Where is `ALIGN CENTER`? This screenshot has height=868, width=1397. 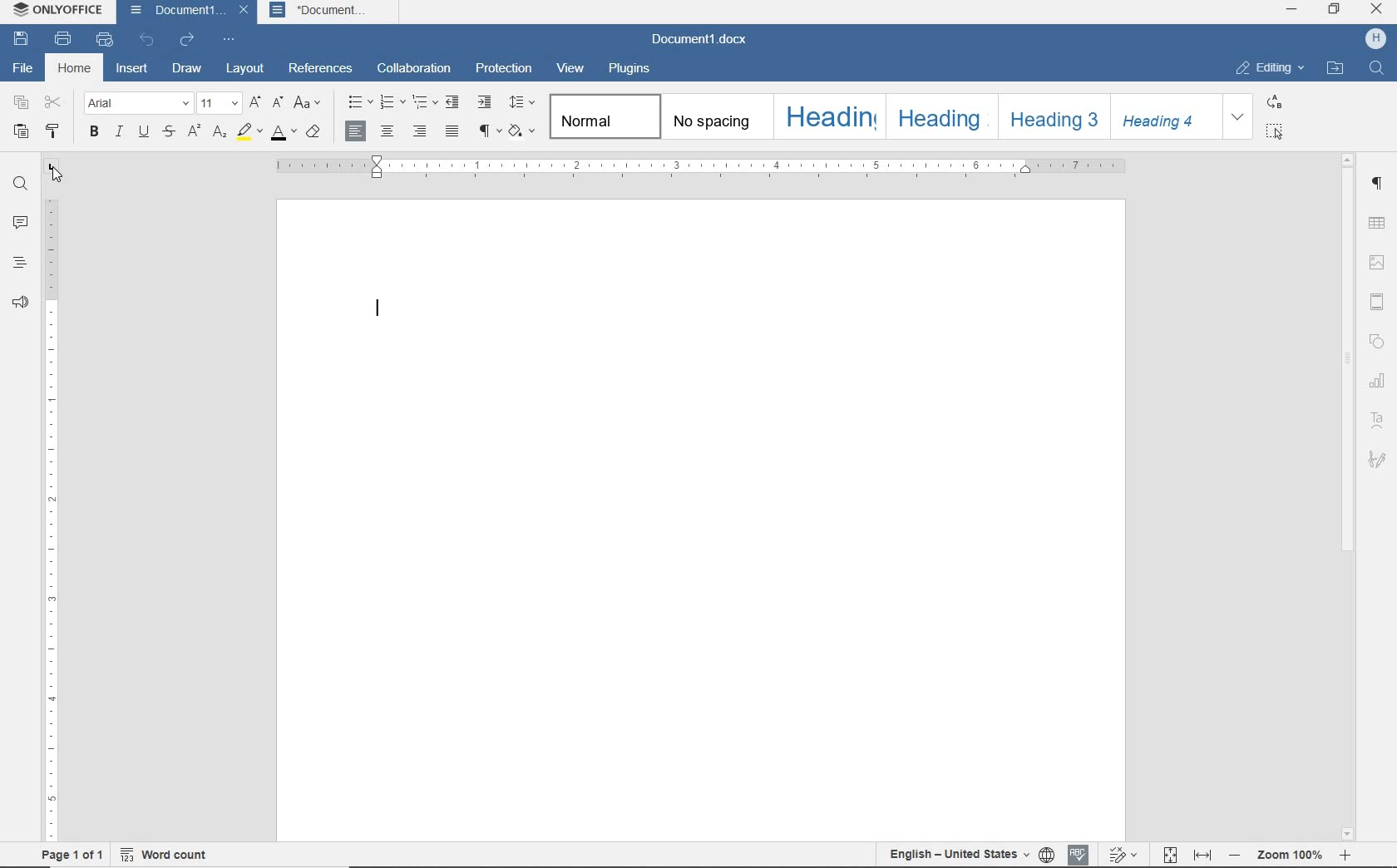 ALIGN CENTER is located at coordinates (387, 131).